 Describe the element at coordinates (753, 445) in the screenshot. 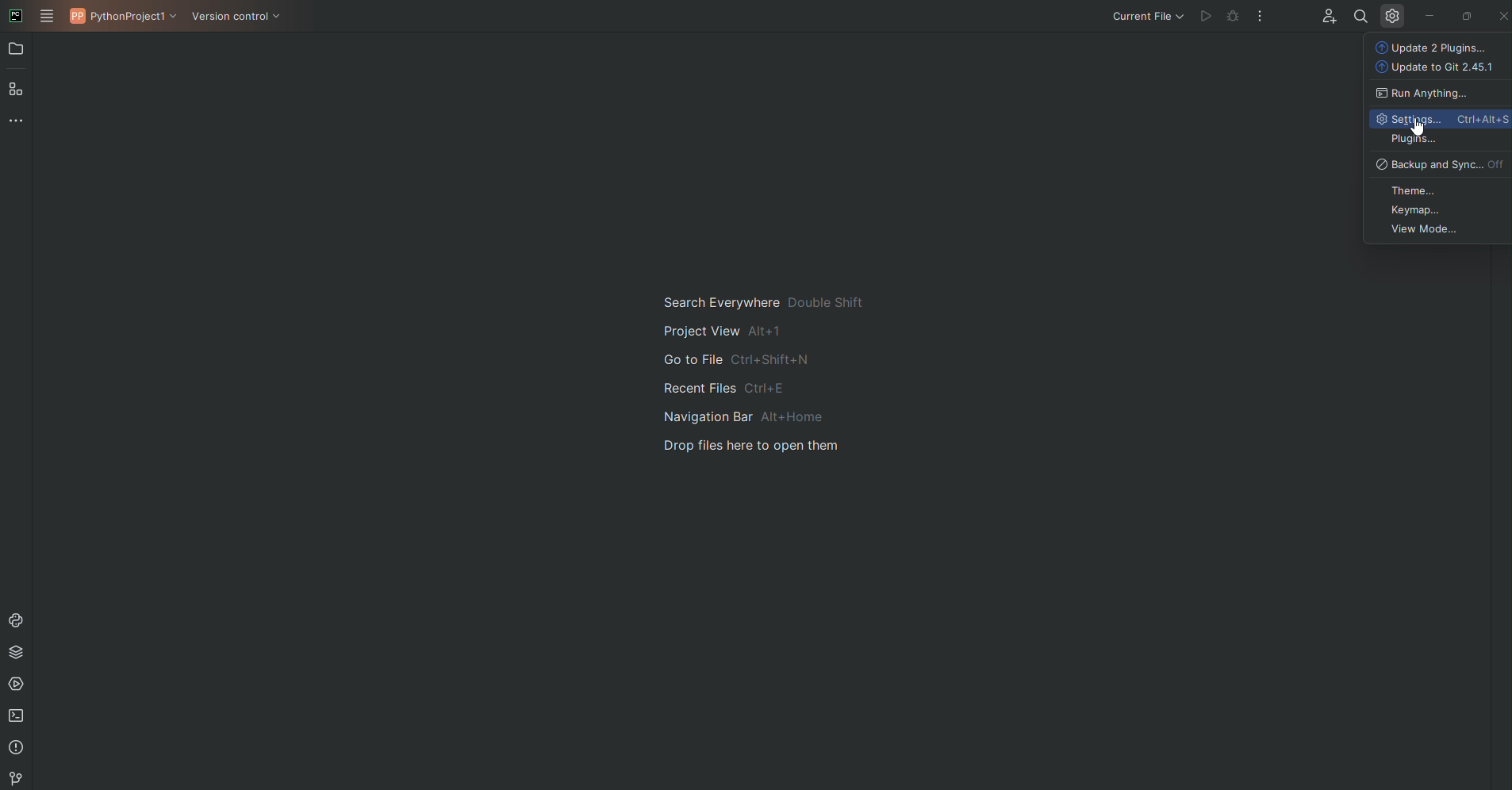

I see `drop files here to open them` at that location.